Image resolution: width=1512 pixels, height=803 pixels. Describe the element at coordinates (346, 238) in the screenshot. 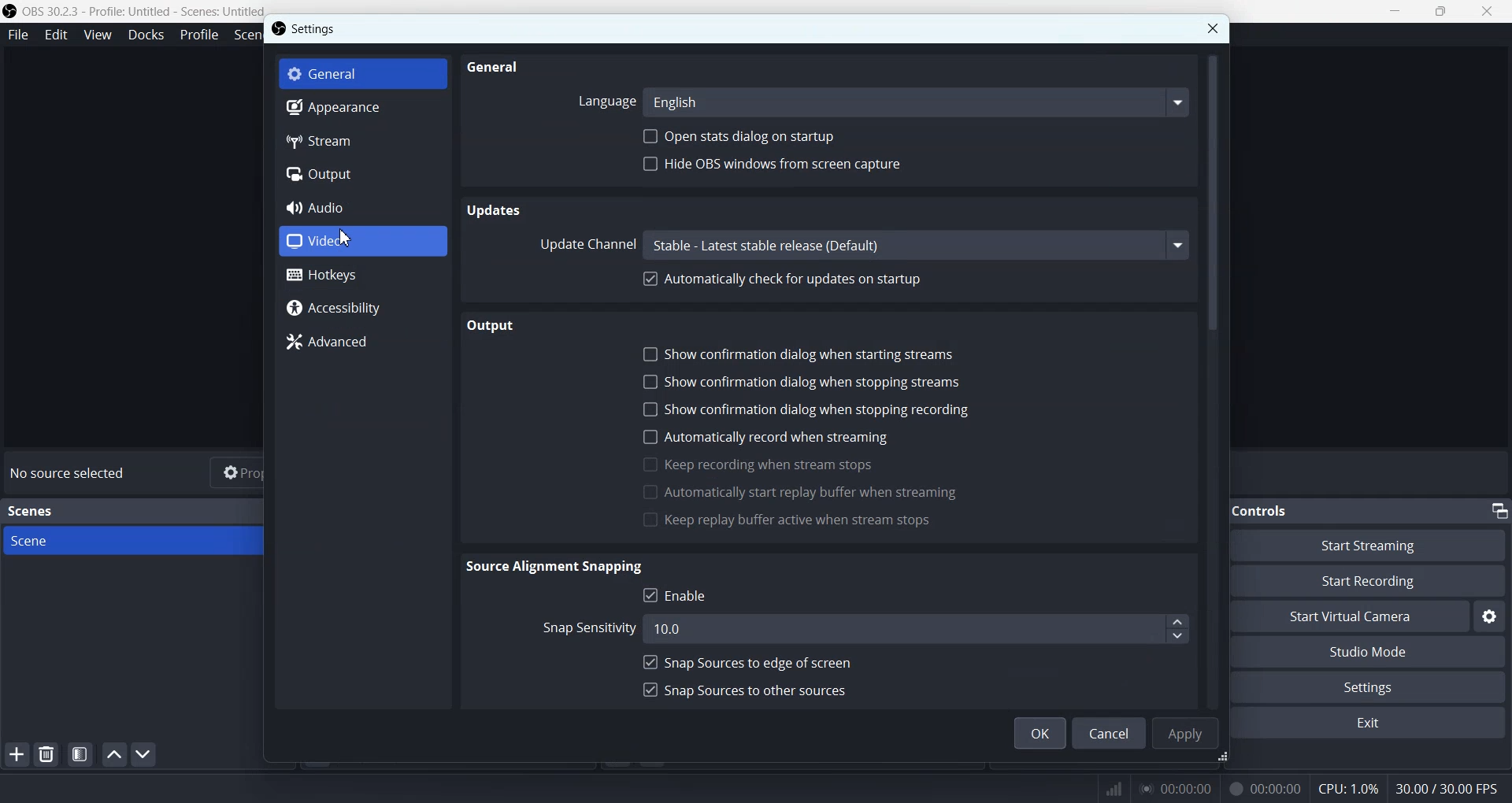

I see `cursor` at that location.